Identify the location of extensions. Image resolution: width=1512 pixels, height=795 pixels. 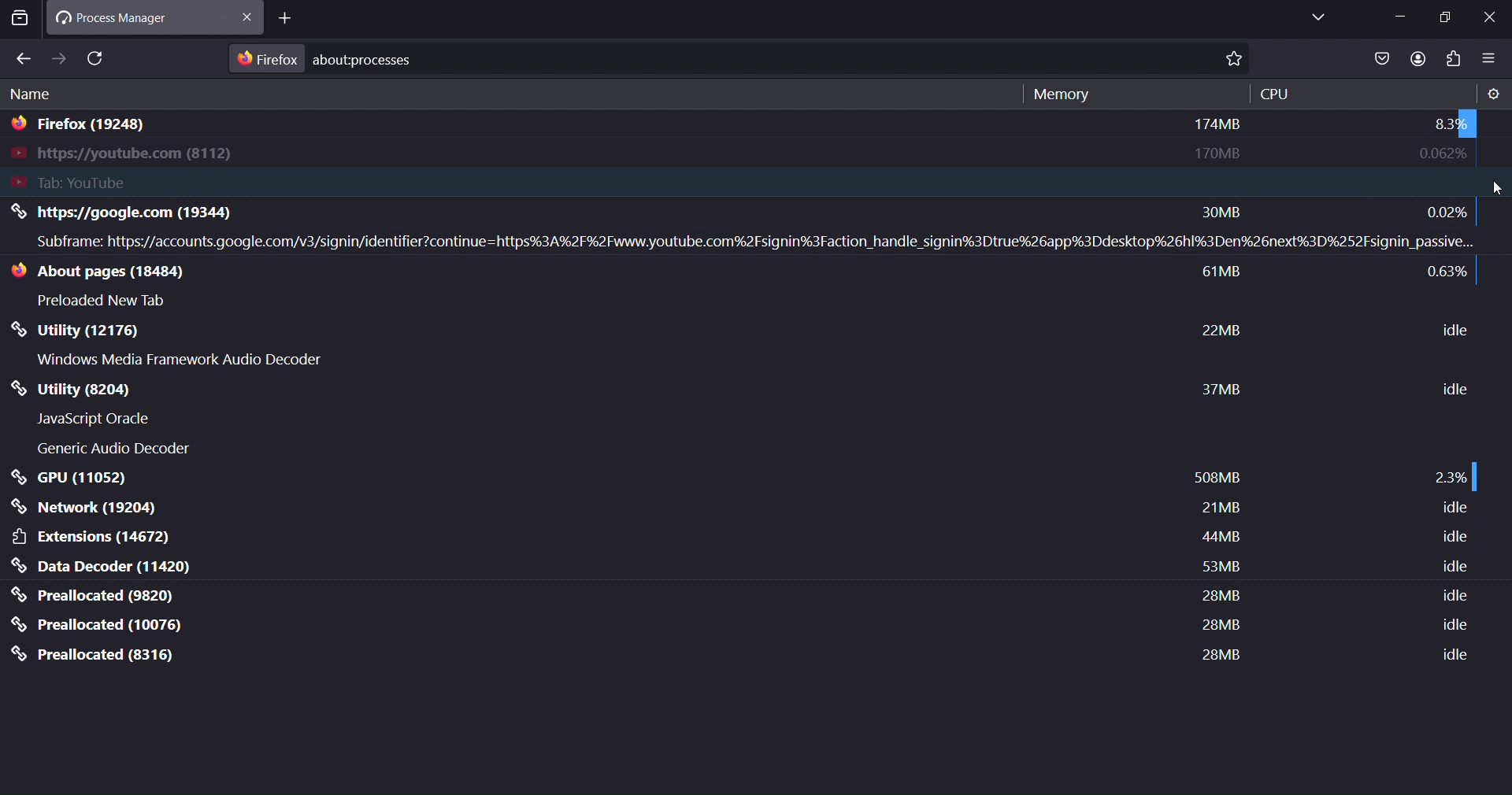
(1456, 59).